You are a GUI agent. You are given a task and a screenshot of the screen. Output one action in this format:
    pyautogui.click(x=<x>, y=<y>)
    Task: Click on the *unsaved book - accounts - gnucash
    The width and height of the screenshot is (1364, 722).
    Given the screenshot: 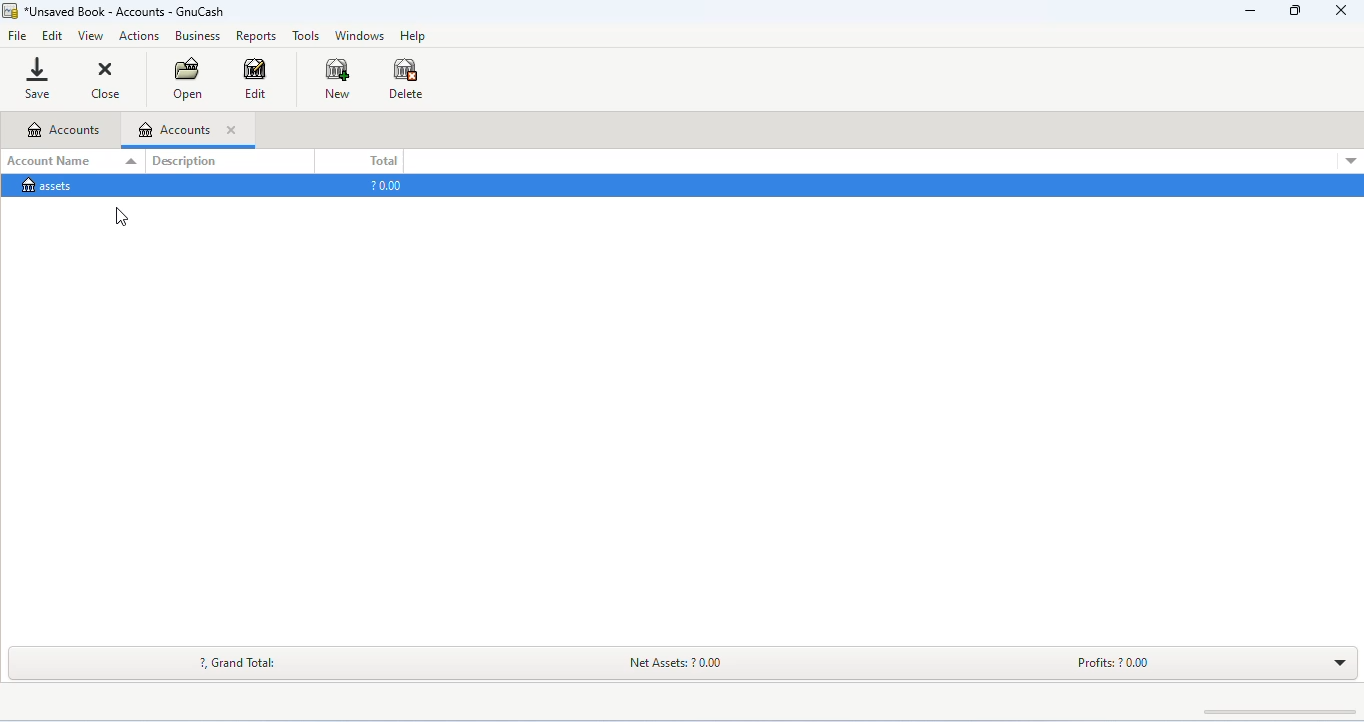 What is the action you would take?
    pyautogui.click(x=129, y=12)
    